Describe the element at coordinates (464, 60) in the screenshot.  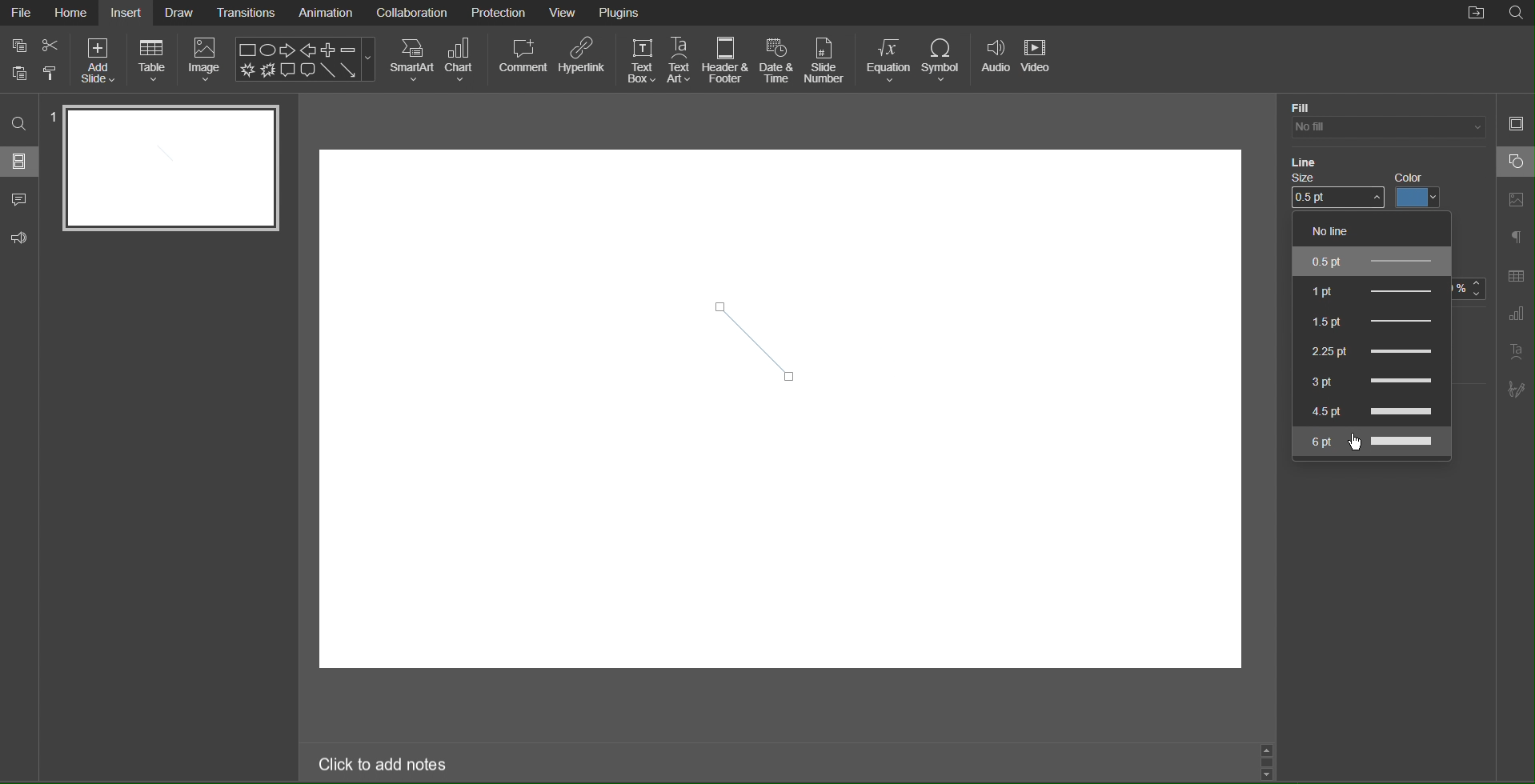
I see `Chart` at that location.